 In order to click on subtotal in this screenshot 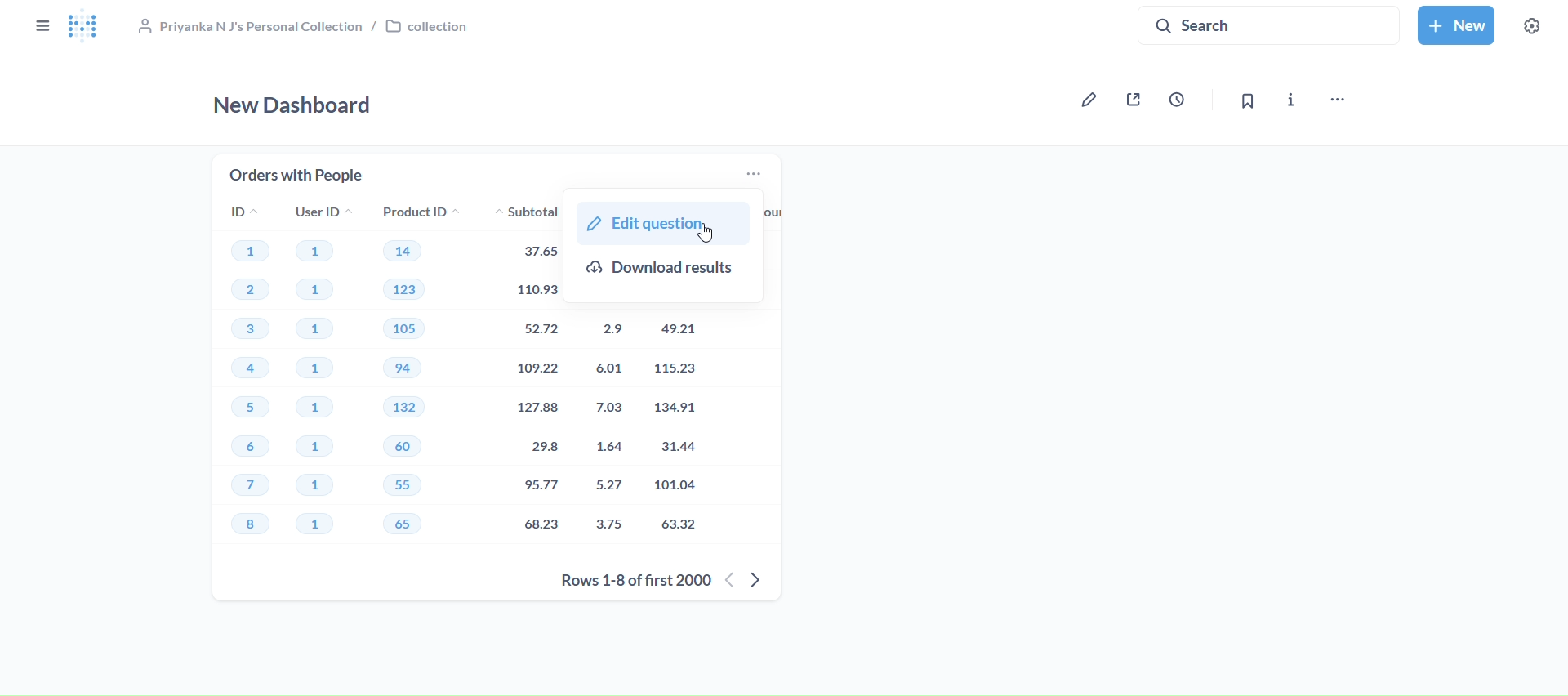, I will do `click(520, 377)`.